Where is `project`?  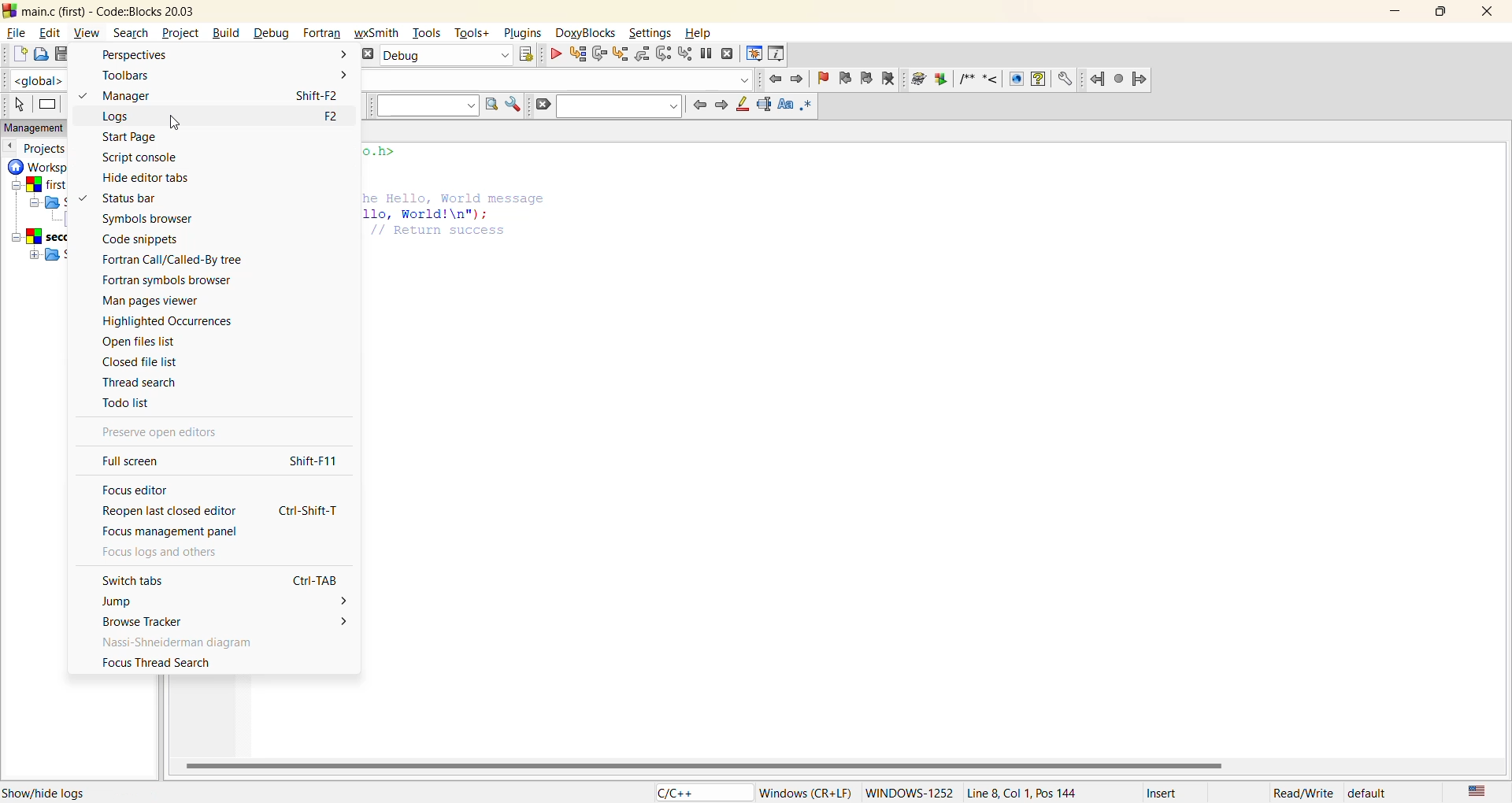
project is located at coordinates (178, 33).